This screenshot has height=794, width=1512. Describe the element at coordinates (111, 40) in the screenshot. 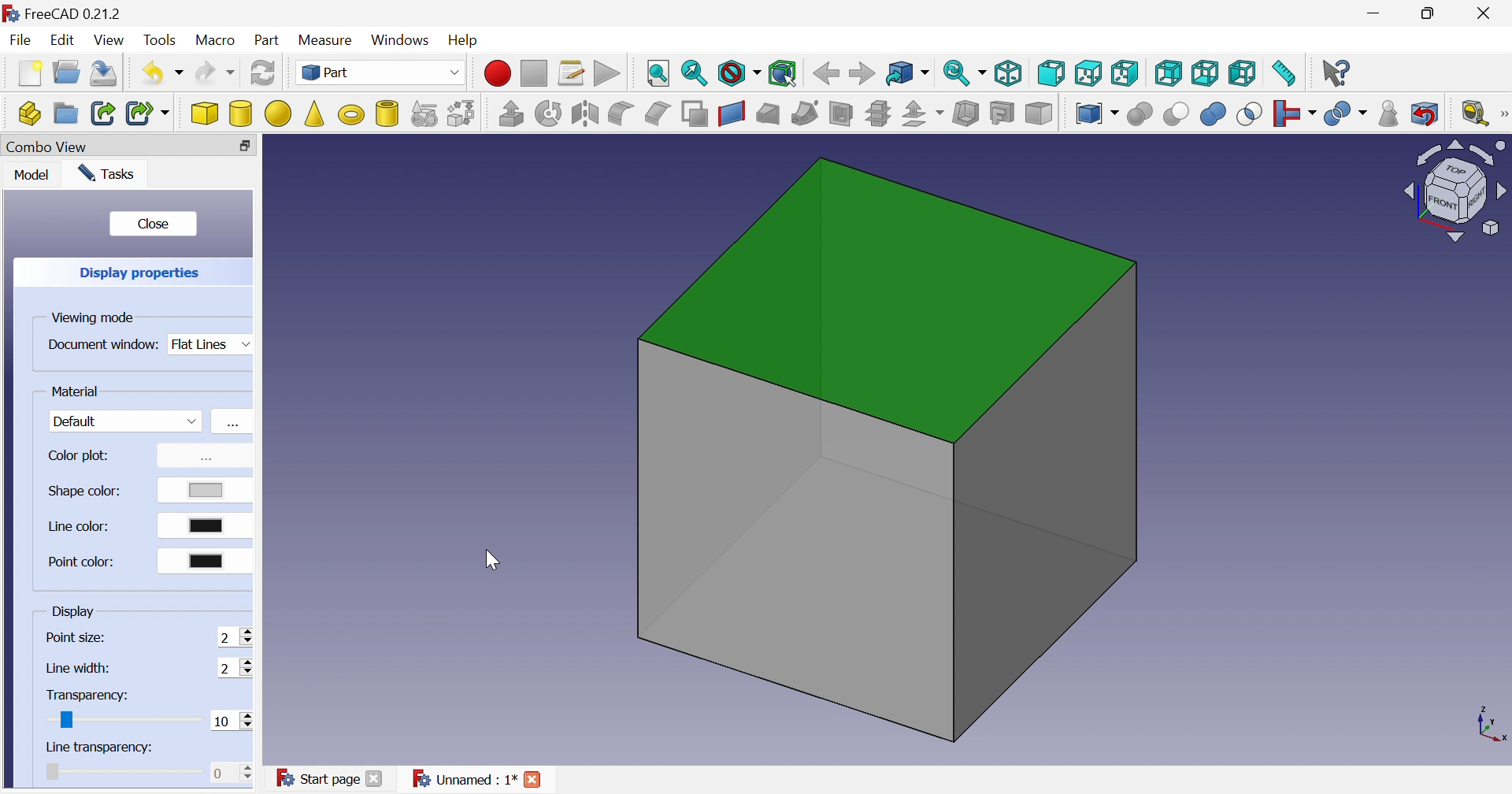

I see `View` at that location.